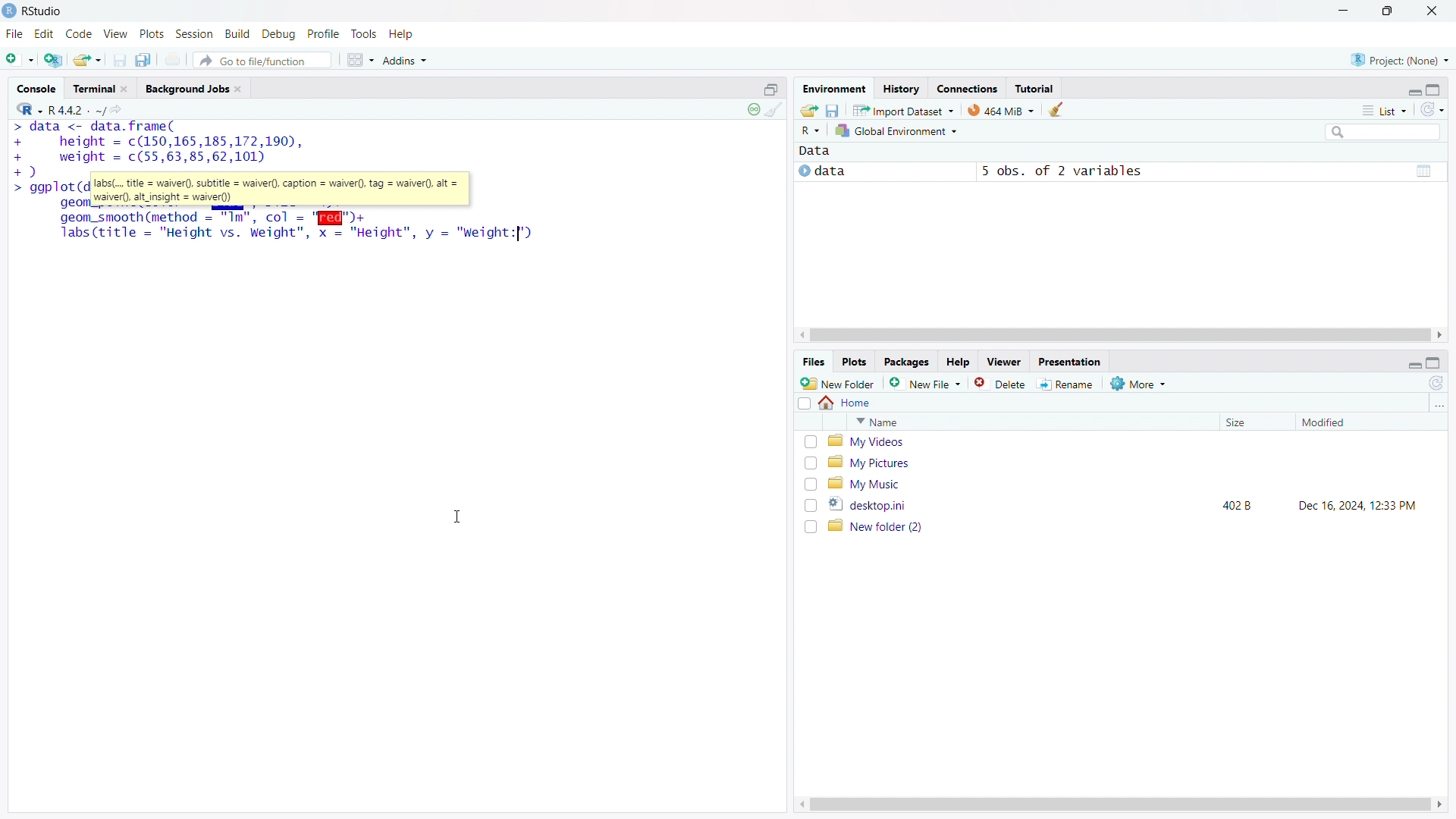  What do you see at coordinates (457, 517) in the screenshot?
I see `cursor` at bounding box center [457, 517].